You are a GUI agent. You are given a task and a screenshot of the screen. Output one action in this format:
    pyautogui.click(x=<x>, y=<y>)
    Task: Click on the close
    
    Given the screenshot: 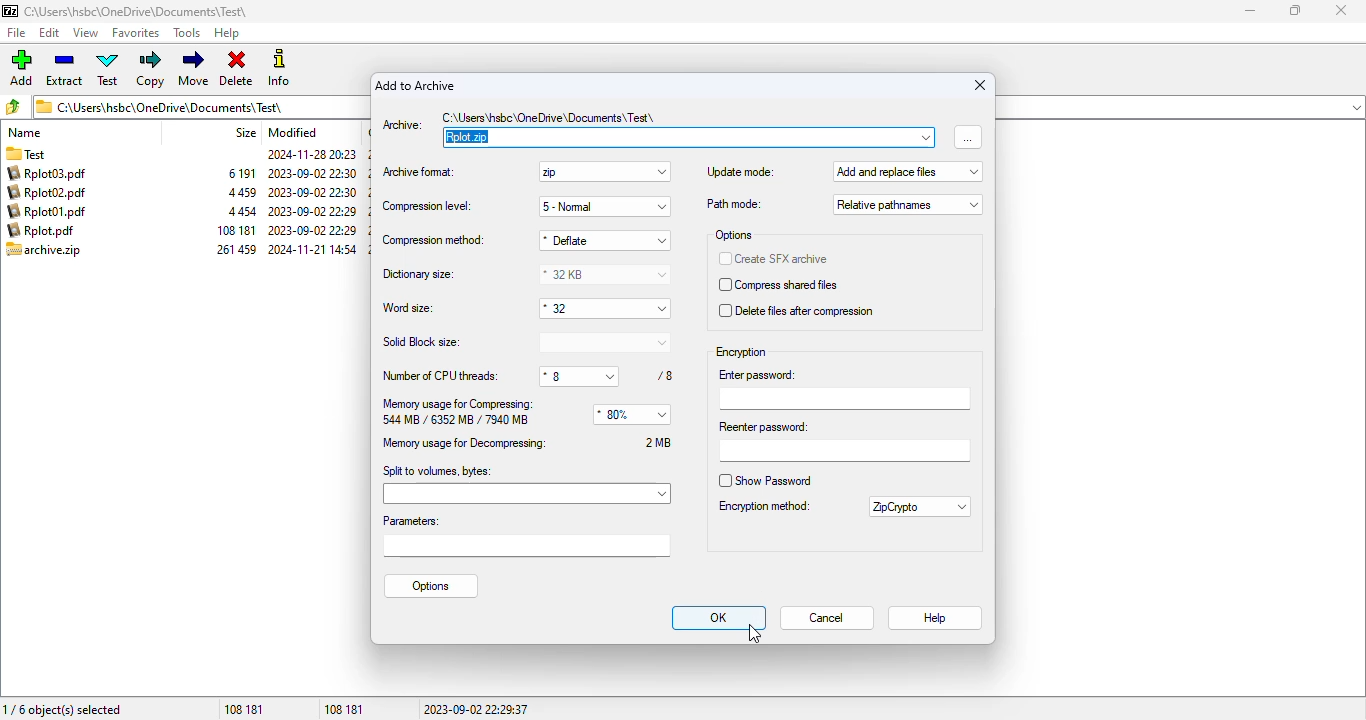 What is the action you would take?
    pyautogui.click(x=1343, y=11)
    